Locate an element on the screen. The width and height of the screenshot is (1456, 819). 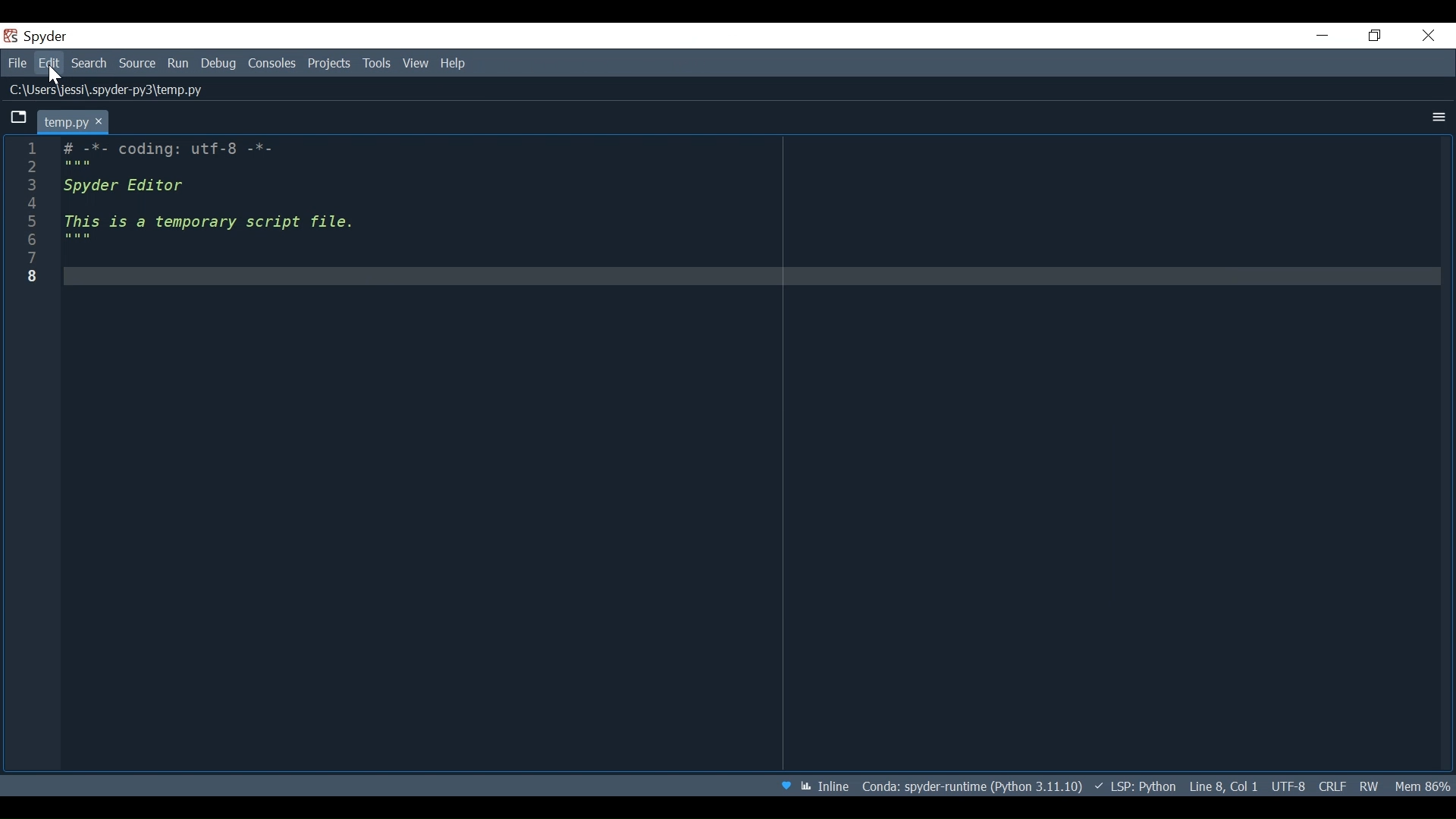
Toggle between inline and interactive Matplotlib plotting is located at coordinates (826, 783).